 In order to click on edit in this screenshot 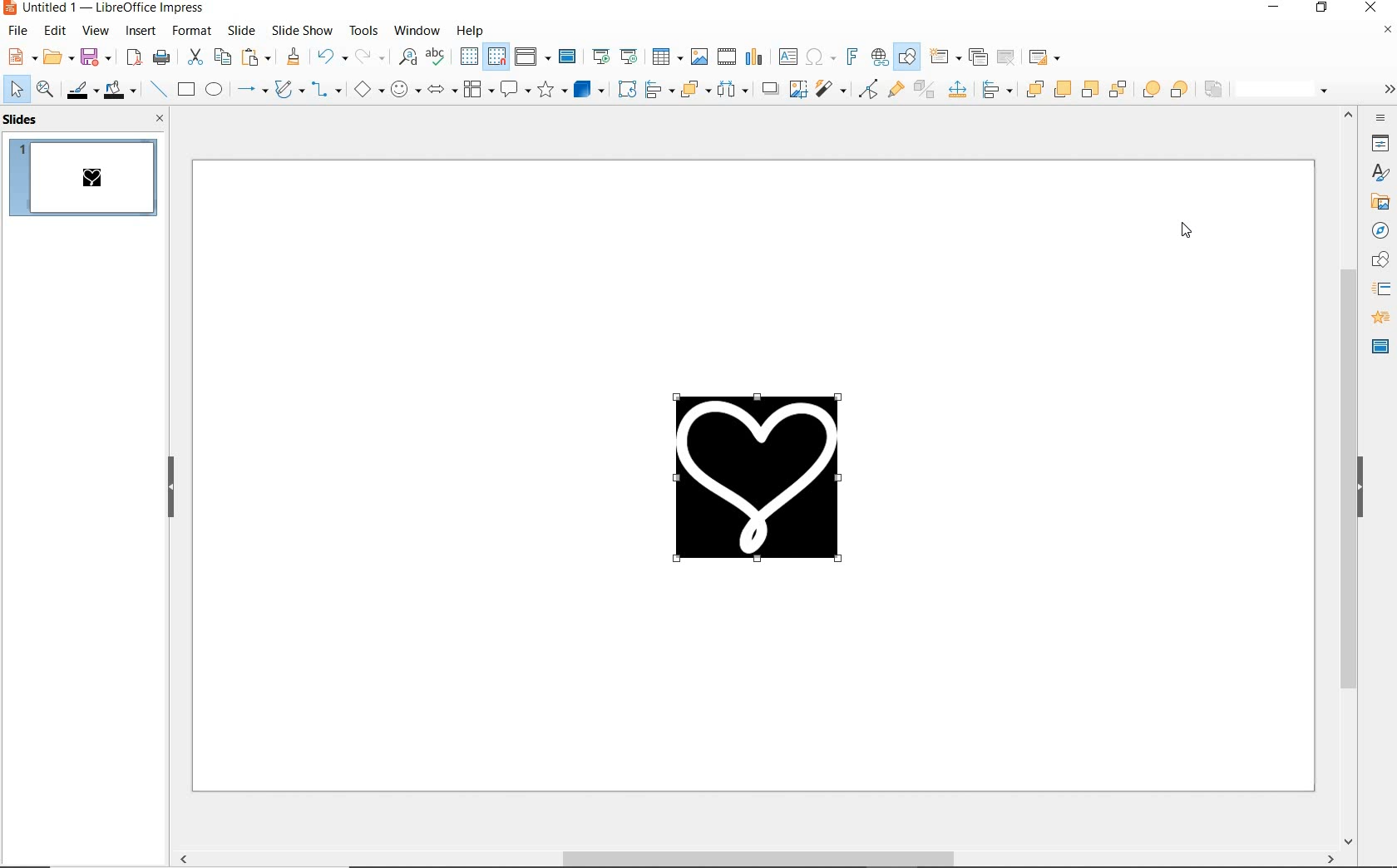, I will do `click(54, 31)`.